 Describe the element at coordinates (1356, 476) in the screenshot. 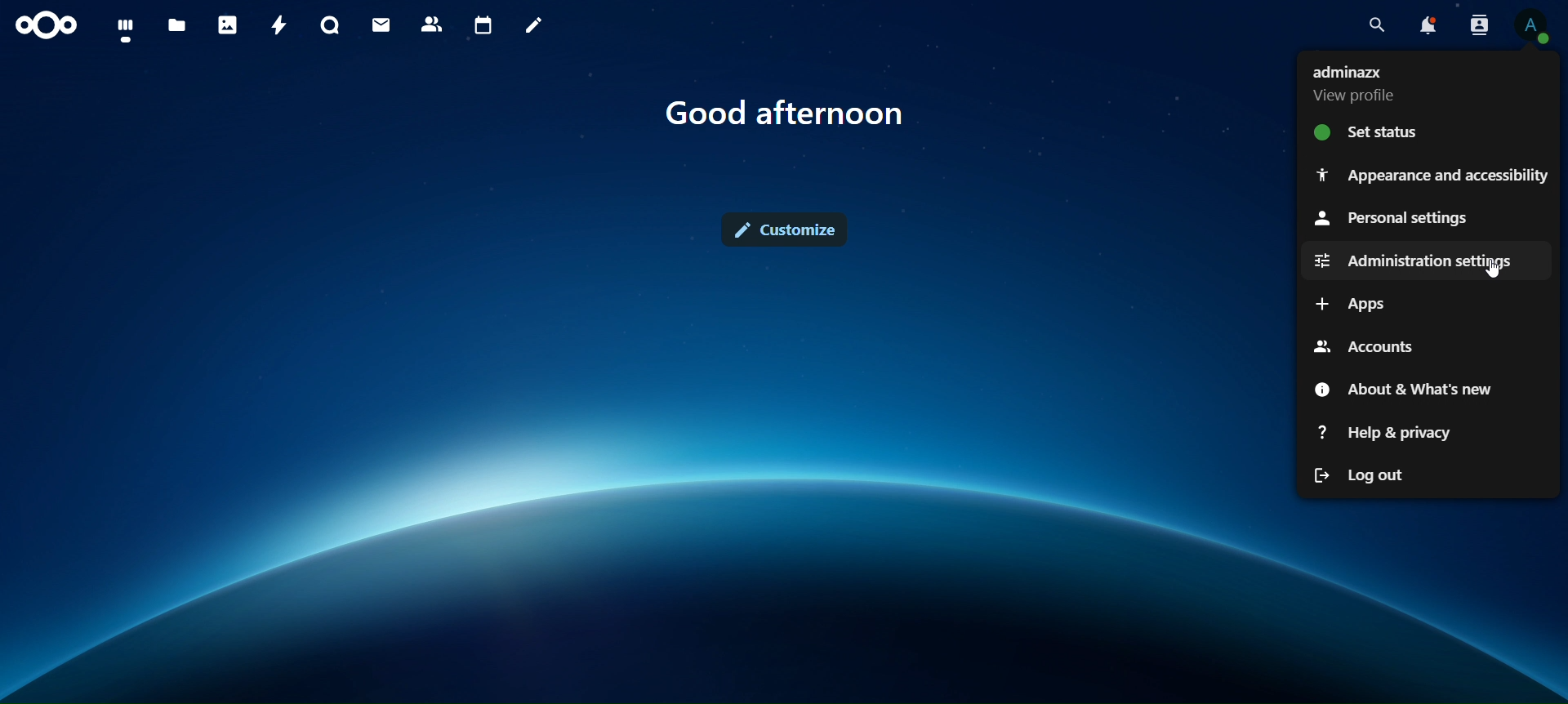

I see `log out` at that location.